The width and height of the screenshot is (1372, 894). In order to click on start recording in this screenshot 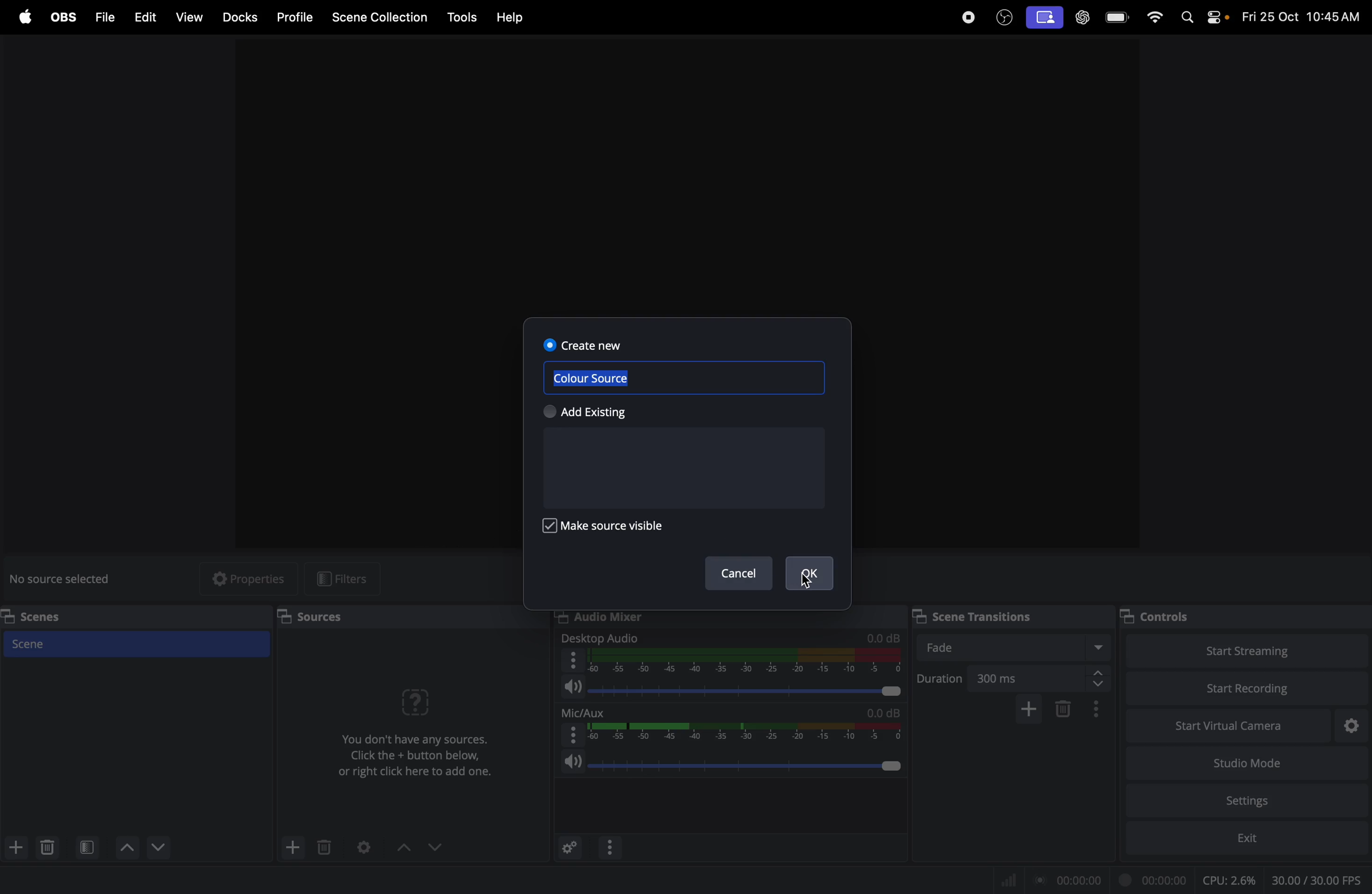, I will do `click(1234, 686)`.